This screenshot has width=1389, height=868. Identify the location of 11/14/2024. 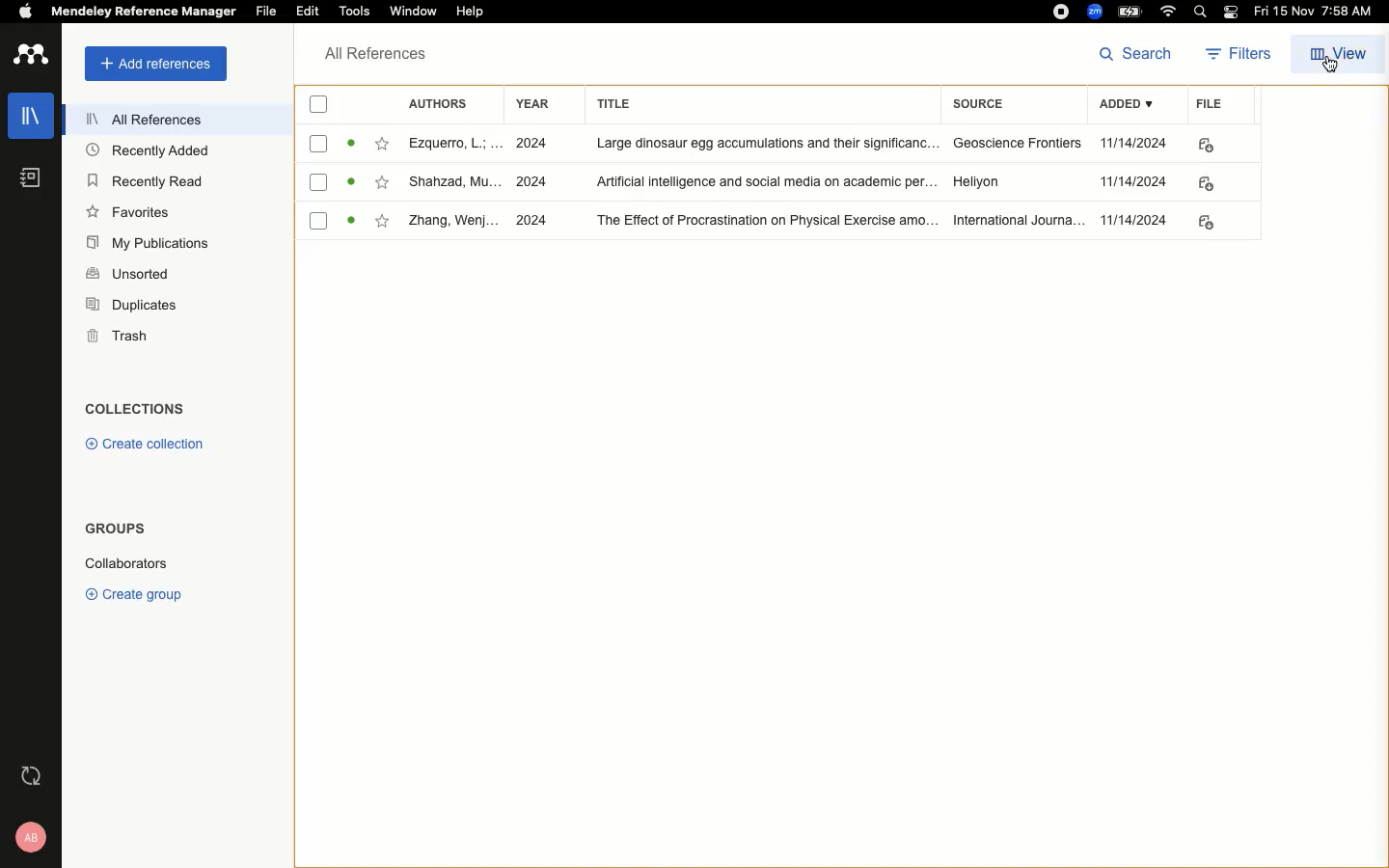
(1135, 144).